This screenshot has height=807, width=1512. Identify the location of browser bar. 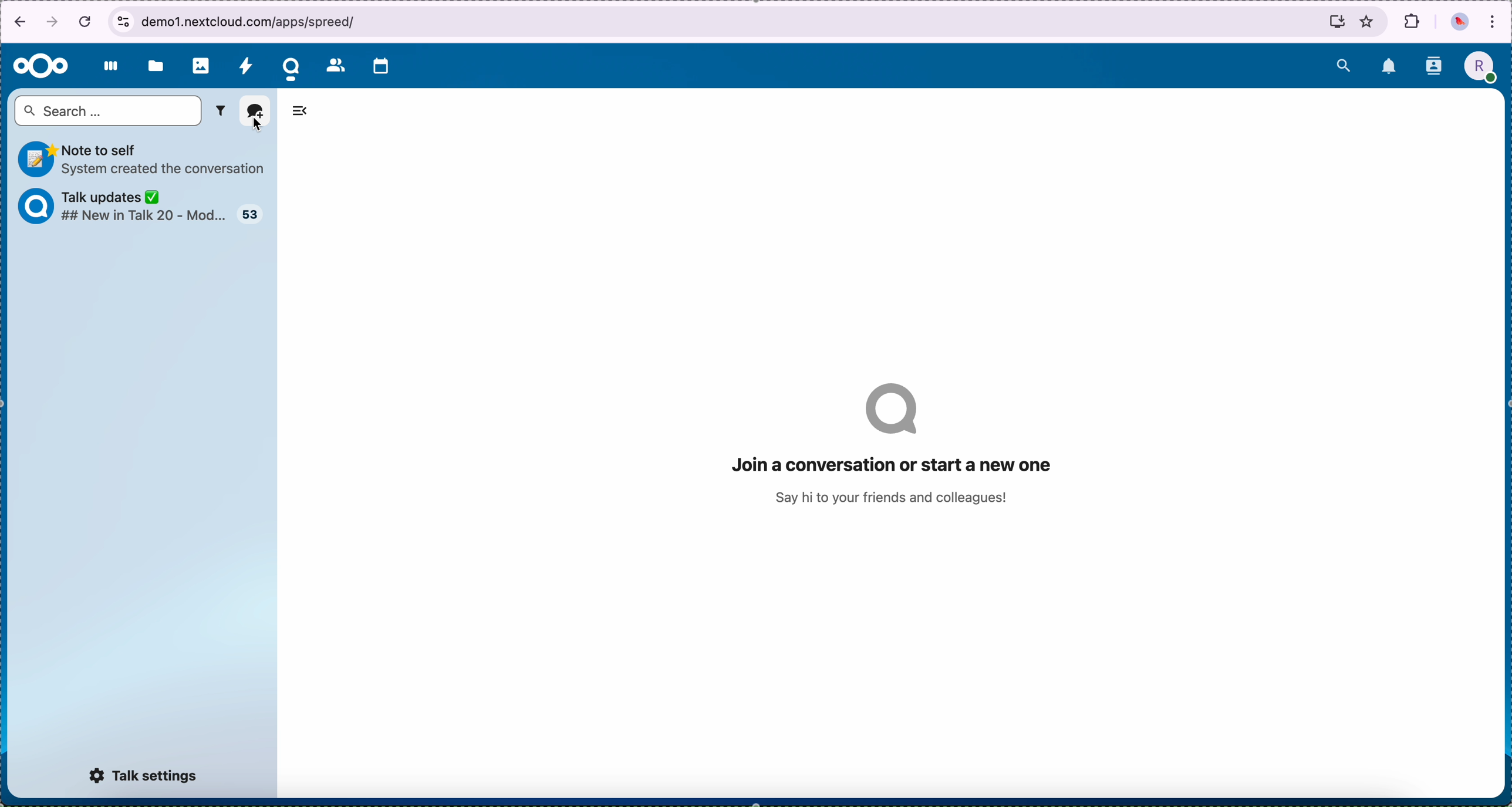
(752, 22).